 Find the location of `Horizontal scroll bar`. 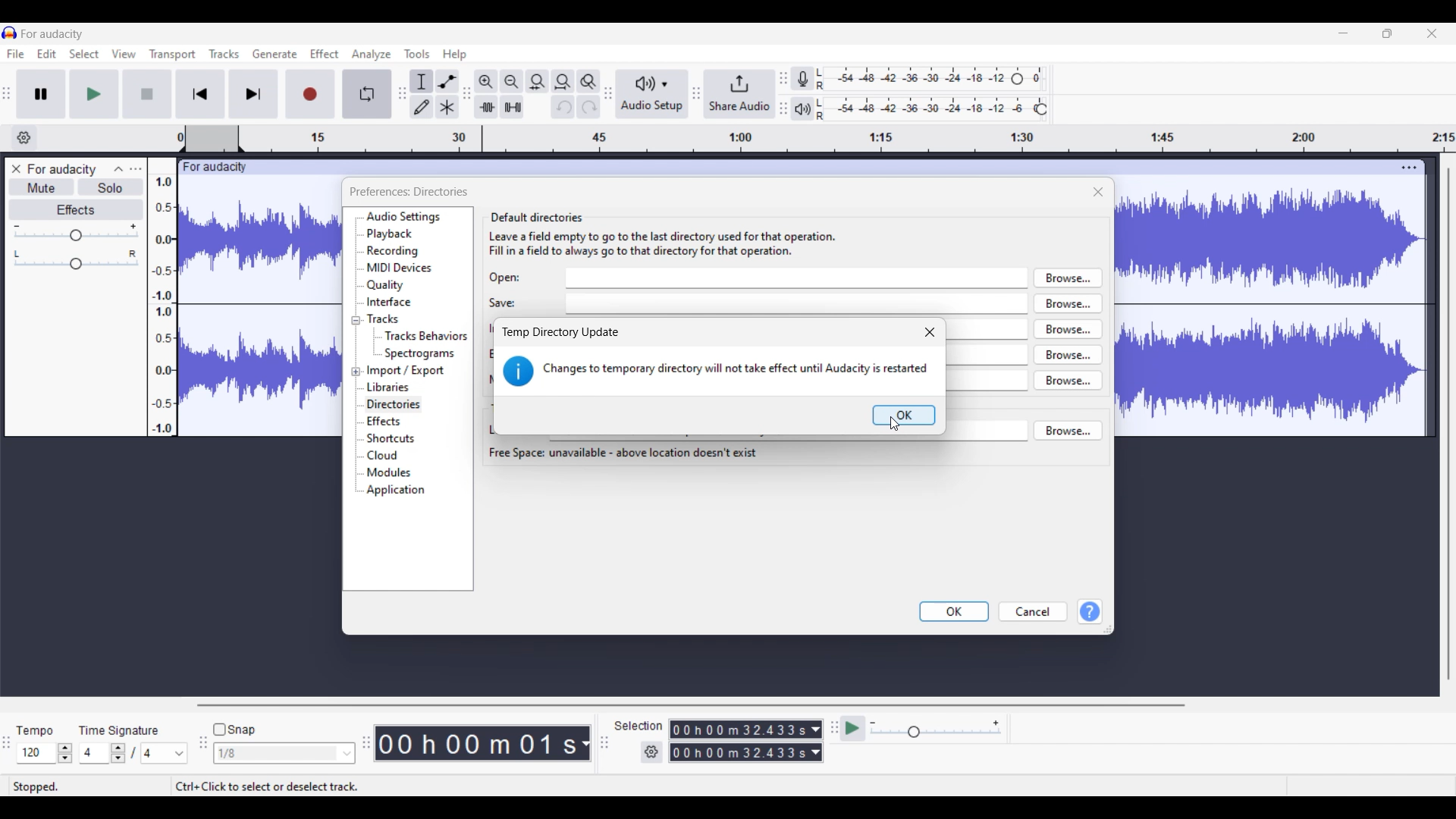

Horizontal scroll bar is located at coordinates (689, 705).